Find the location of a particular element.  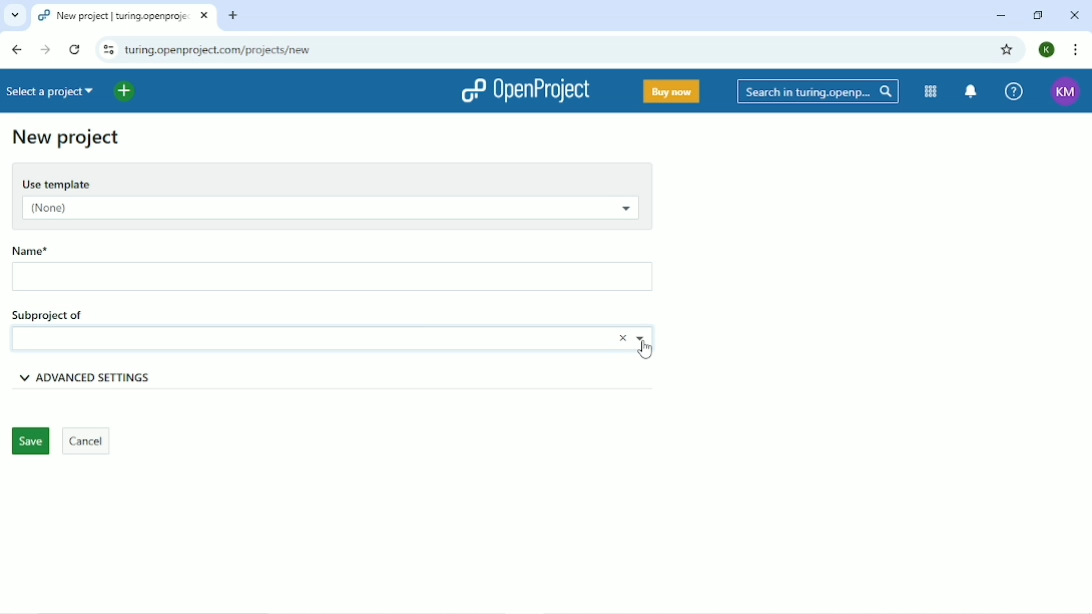

Reload this page is located at coordinates (74, 49).